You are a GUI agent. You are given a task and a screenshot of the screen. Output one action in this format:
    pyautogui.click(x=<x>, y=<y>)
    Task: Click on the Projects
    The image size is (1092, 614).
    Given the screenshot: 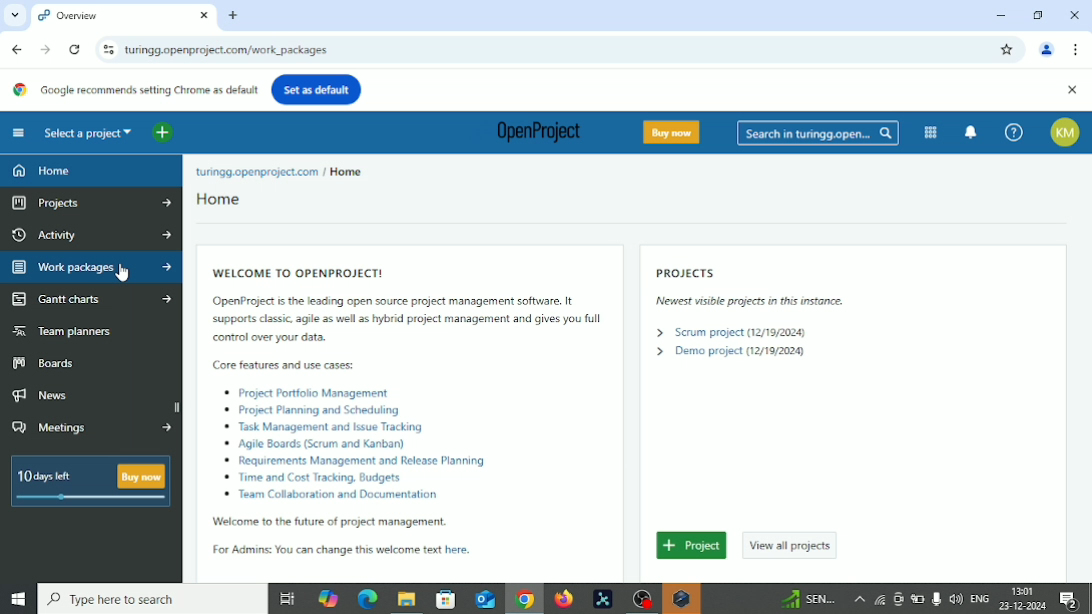 What is the action you would take?
    pyautogui.click(x=688, y=272)
    